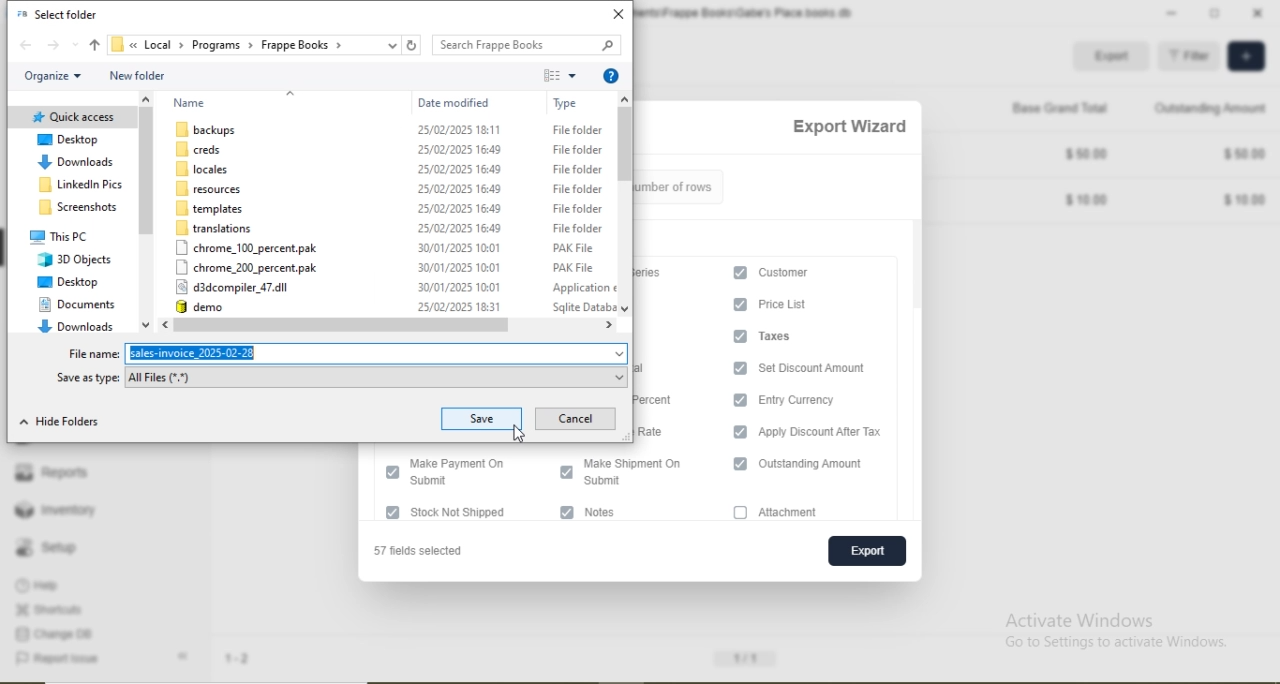 Image resolution: width=1280 pixels, height=684 pixels. What do you see at coordinates (461, 190) in the screenshot?
I see `25/02/2025 16:49` at bounding box center [461, 190].